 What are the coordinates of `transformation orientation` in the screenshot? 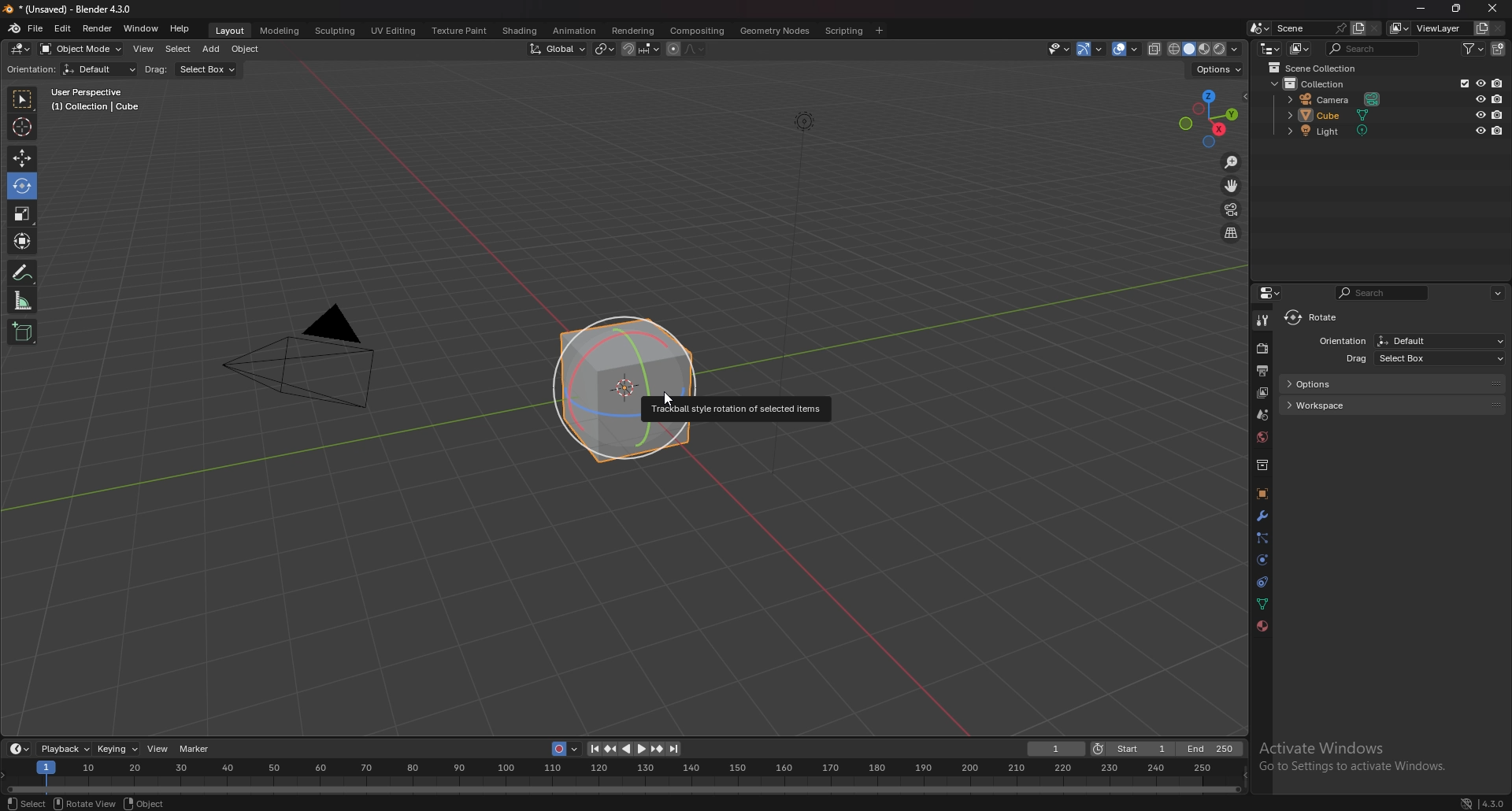 It's located at (558, 48).